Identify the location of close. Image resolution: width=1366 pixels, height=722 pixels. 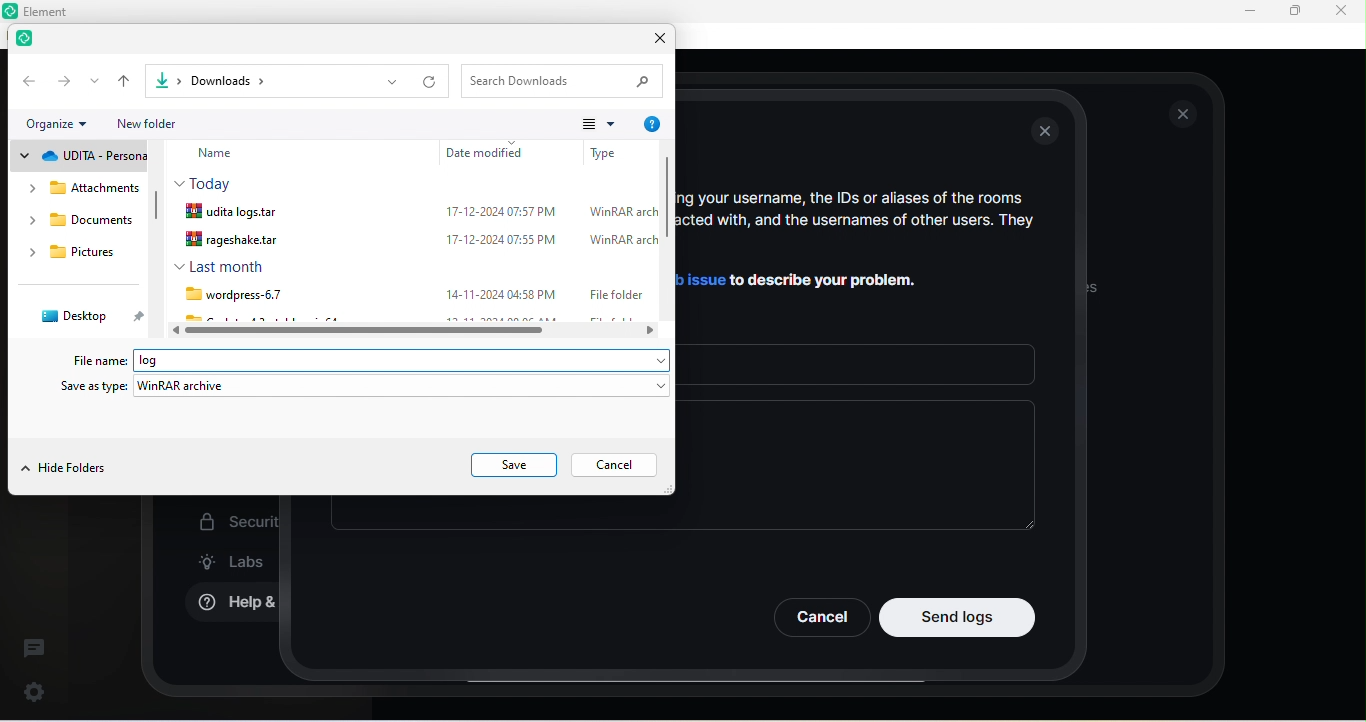
(1340, 10).